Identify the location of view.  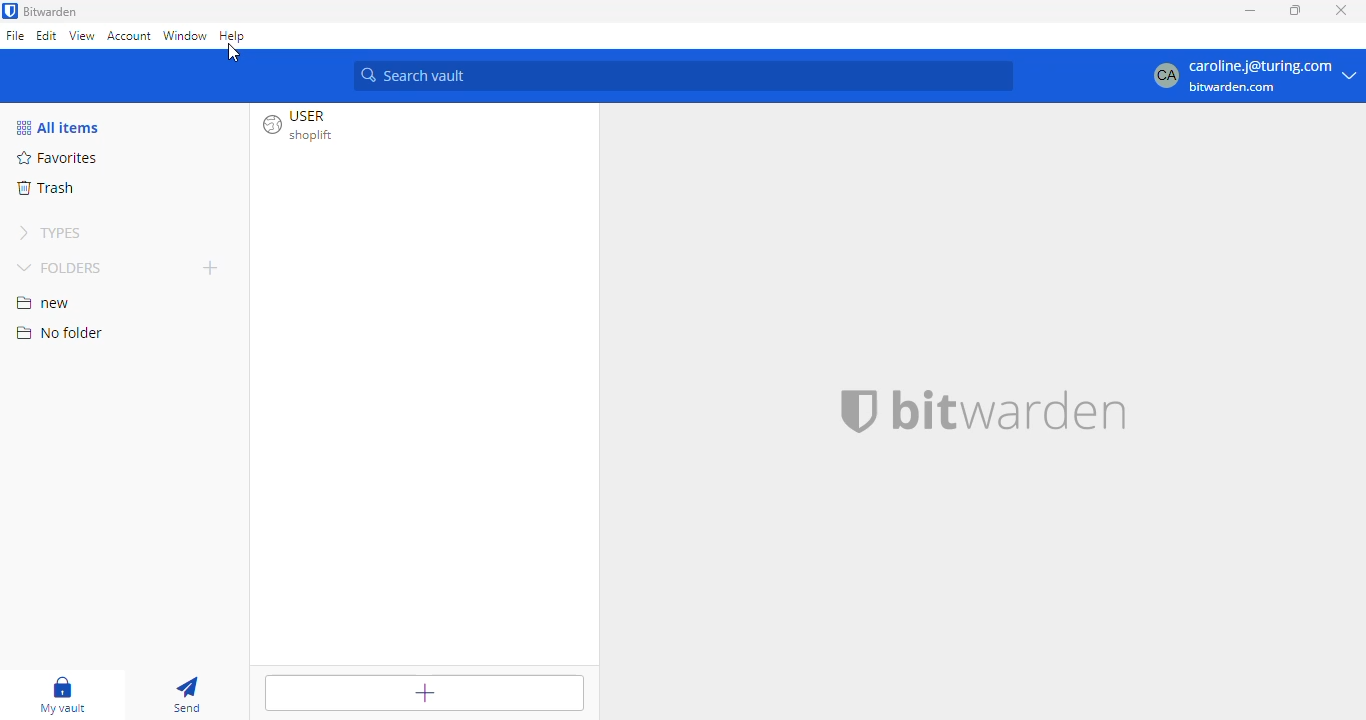
(82, 37).